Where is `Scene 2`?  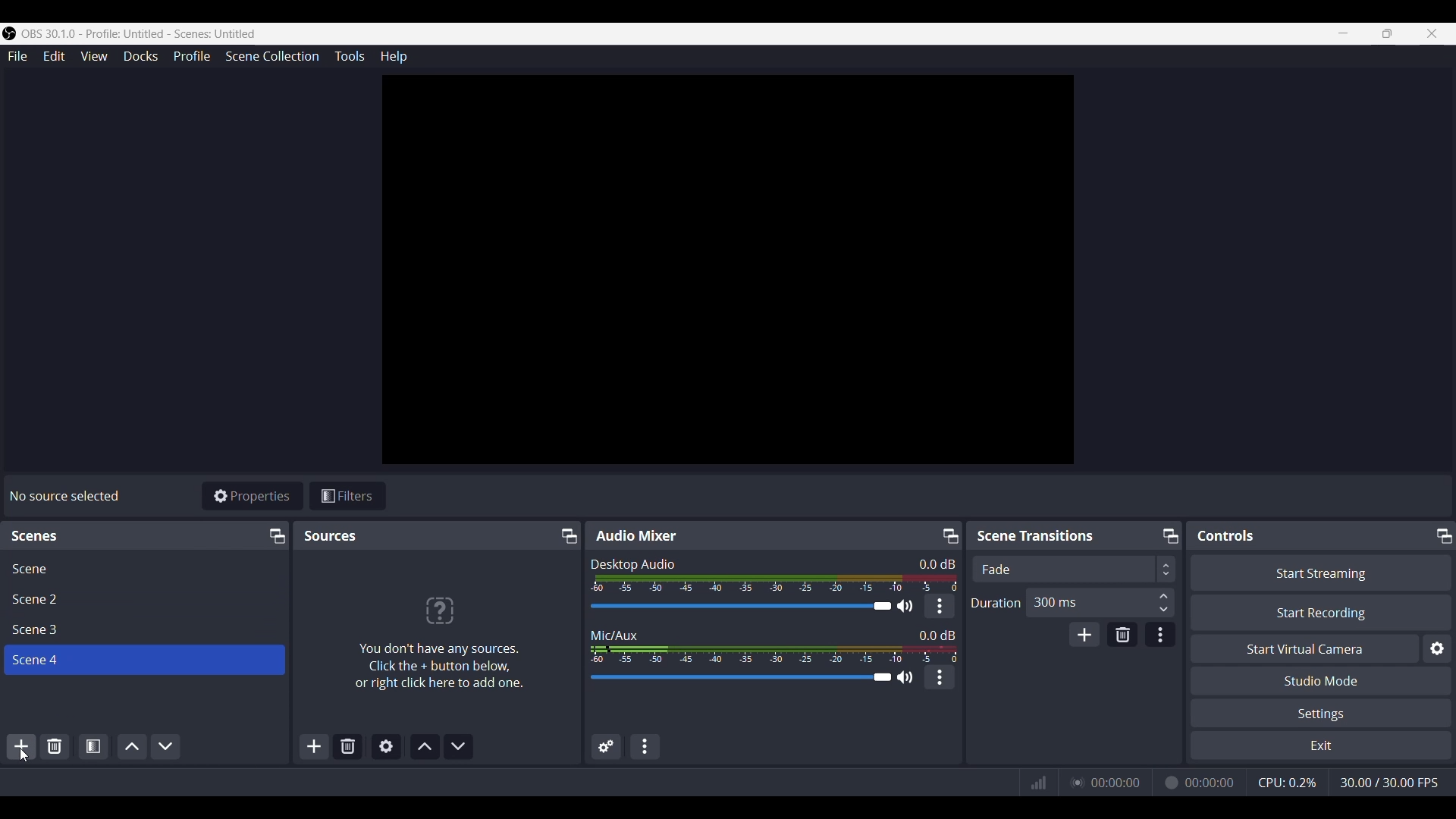
Scene 2 is located at coordinates (144, 598).